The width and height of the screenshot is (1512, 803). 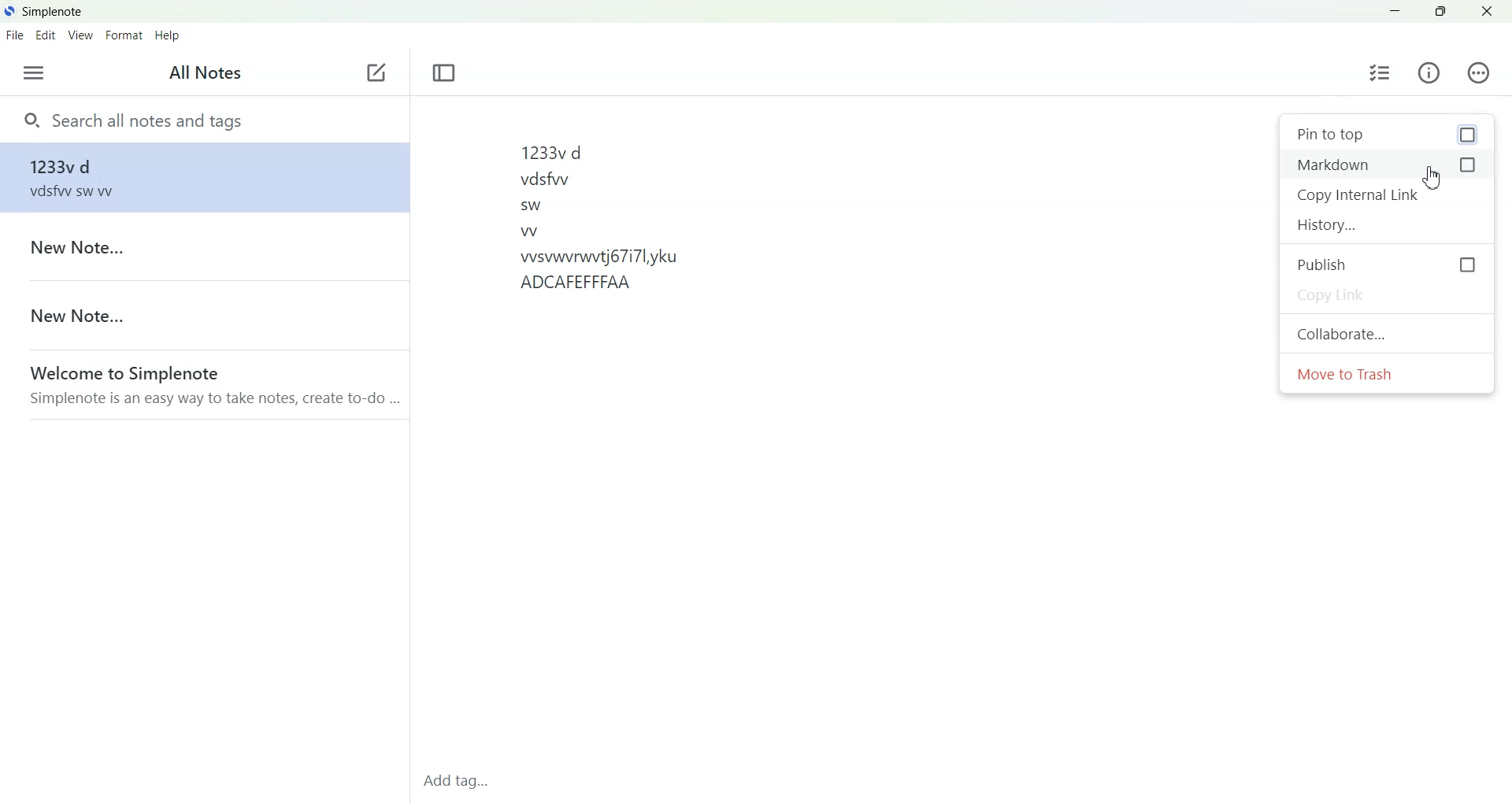 I want to click on Search notes and tags, so click(x=204, y=119).